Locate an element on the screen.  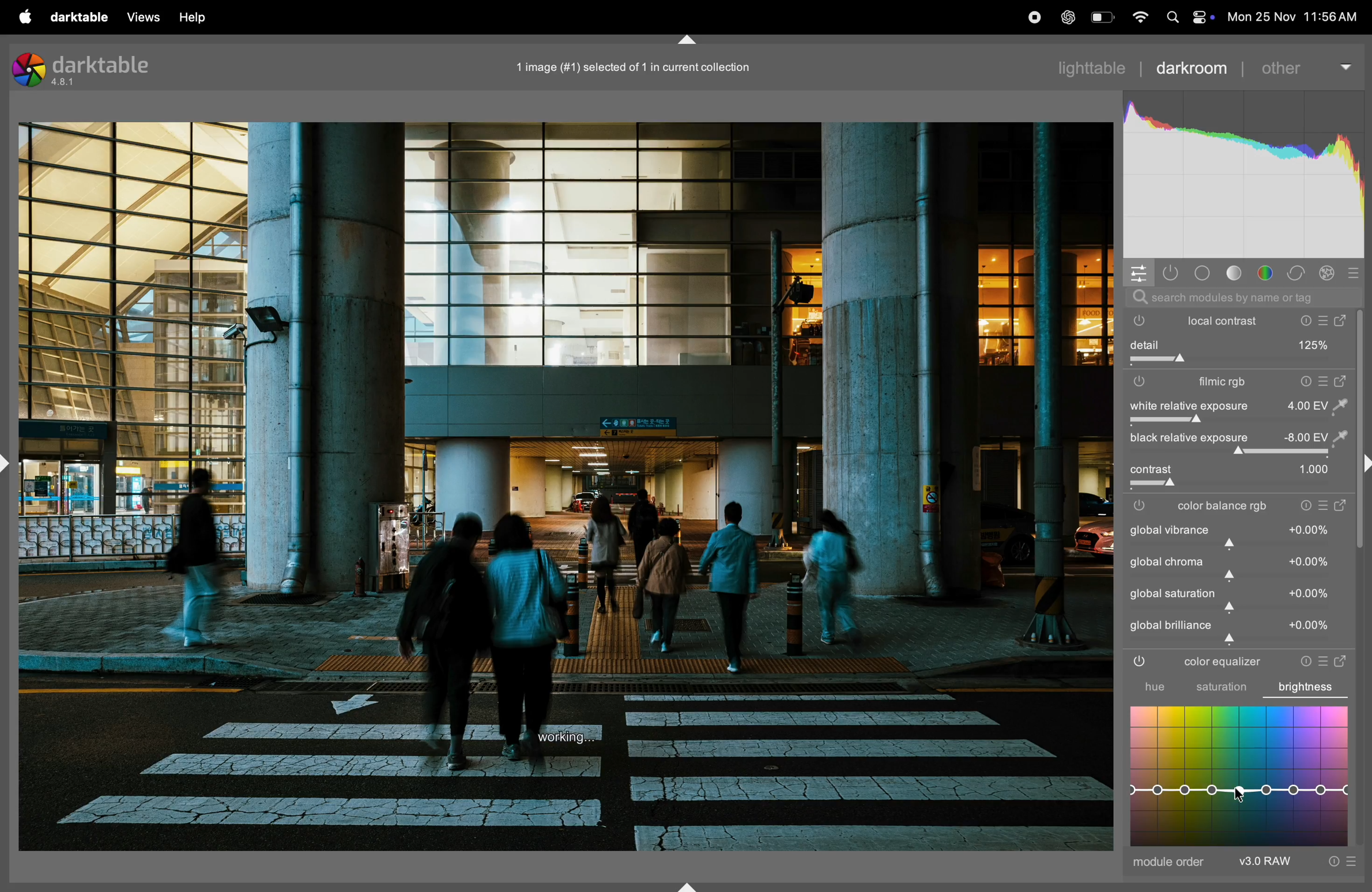
global brillance is located at coordinates (1171, 625).